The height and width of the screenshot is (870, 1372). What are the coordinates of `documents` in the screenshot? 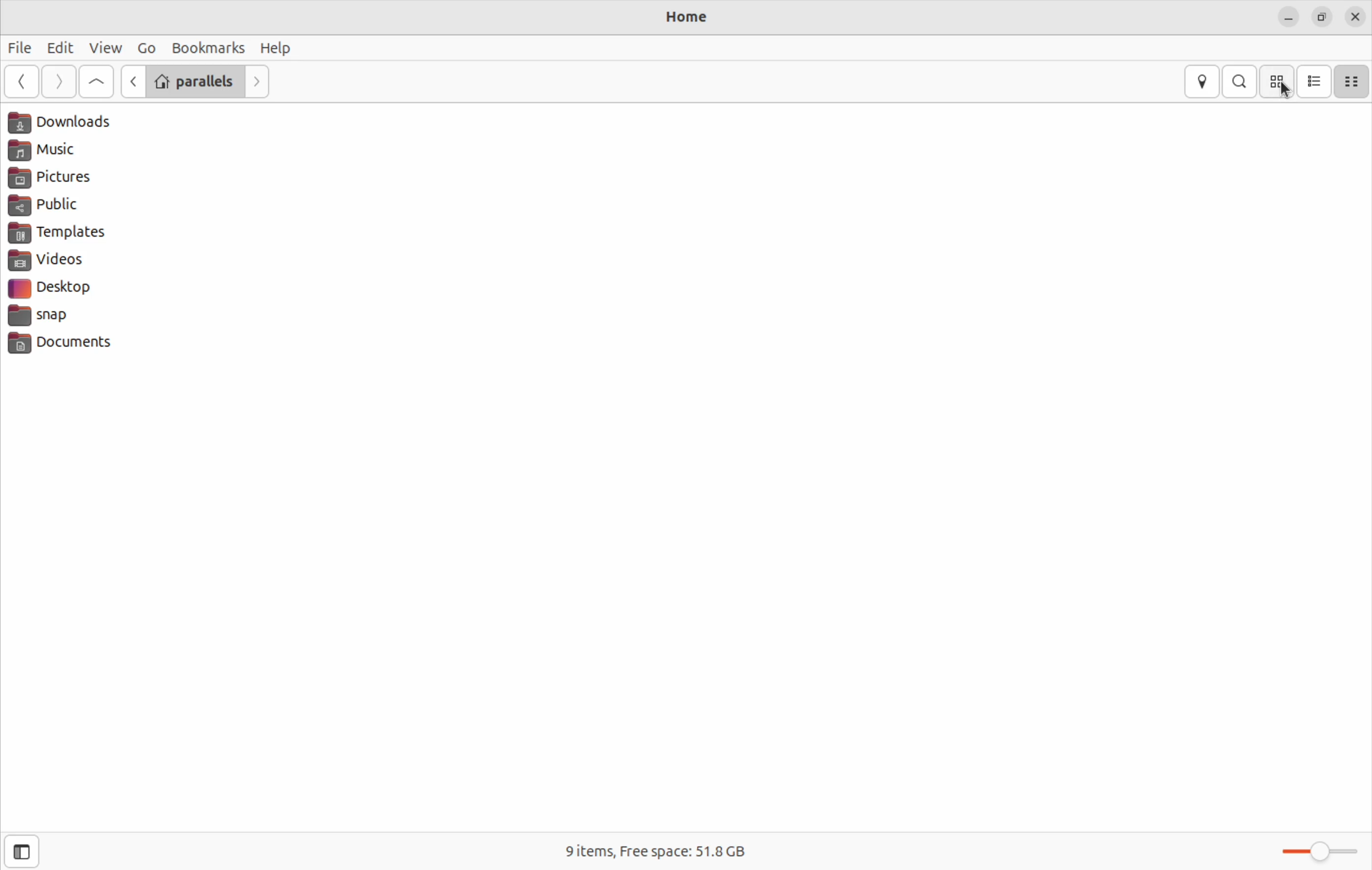 It's located at (60, 346).